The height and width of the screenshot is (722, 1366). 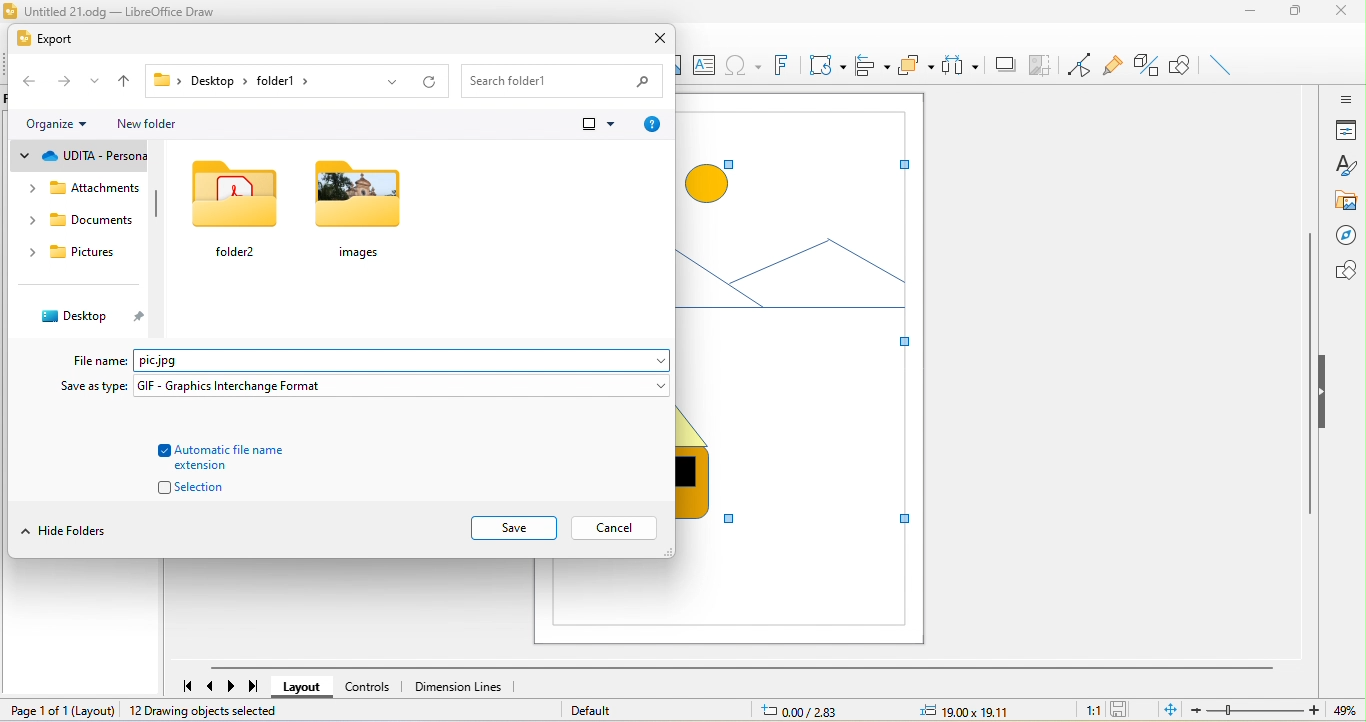 I want to click on close, so click(x=1344, y=12).